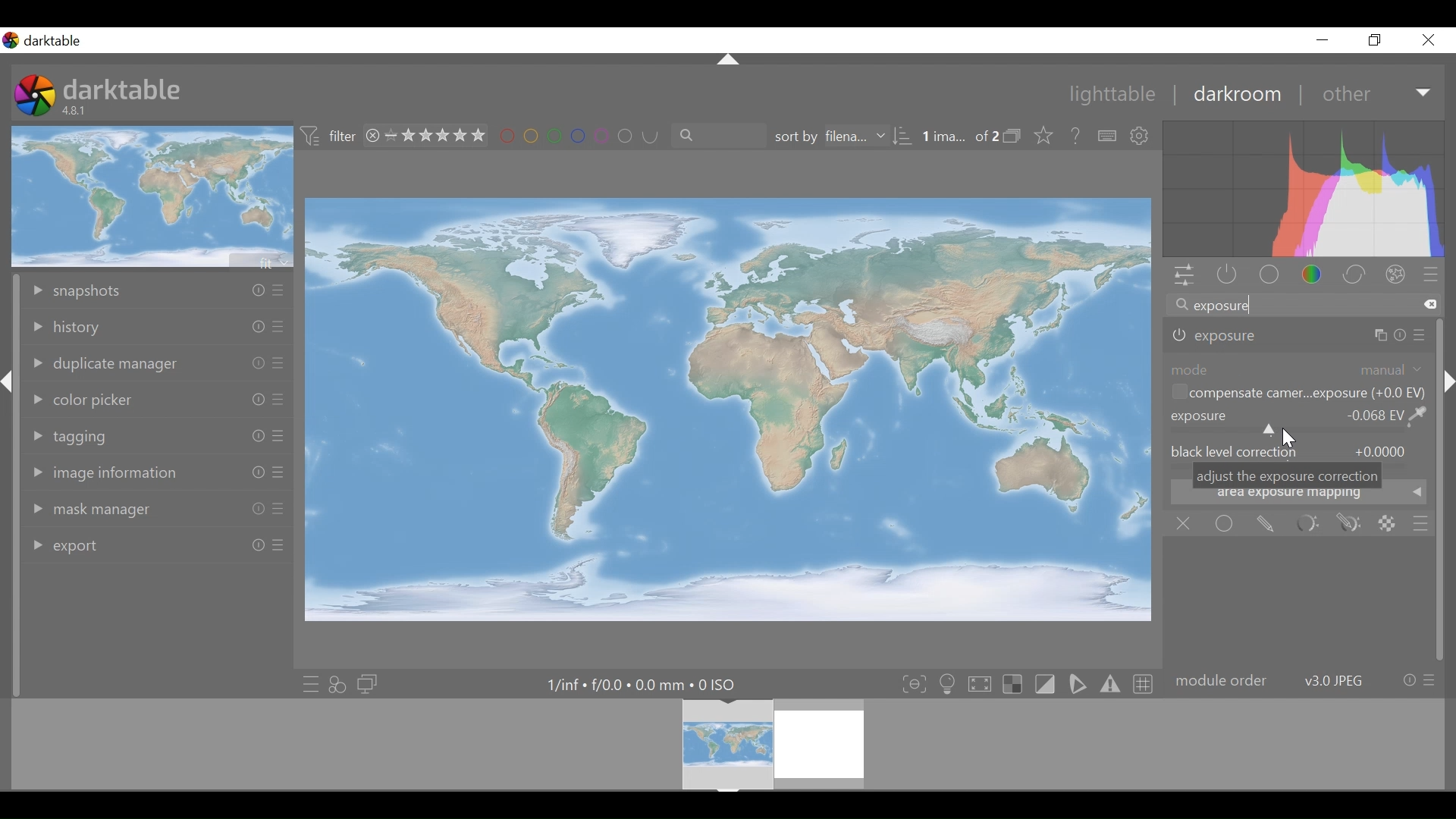 Image resolution: width=1456 pixels, height=819 pixels. Describe the element at coordinates (1427, 39) in the screenshot. I see `Close` at that location.